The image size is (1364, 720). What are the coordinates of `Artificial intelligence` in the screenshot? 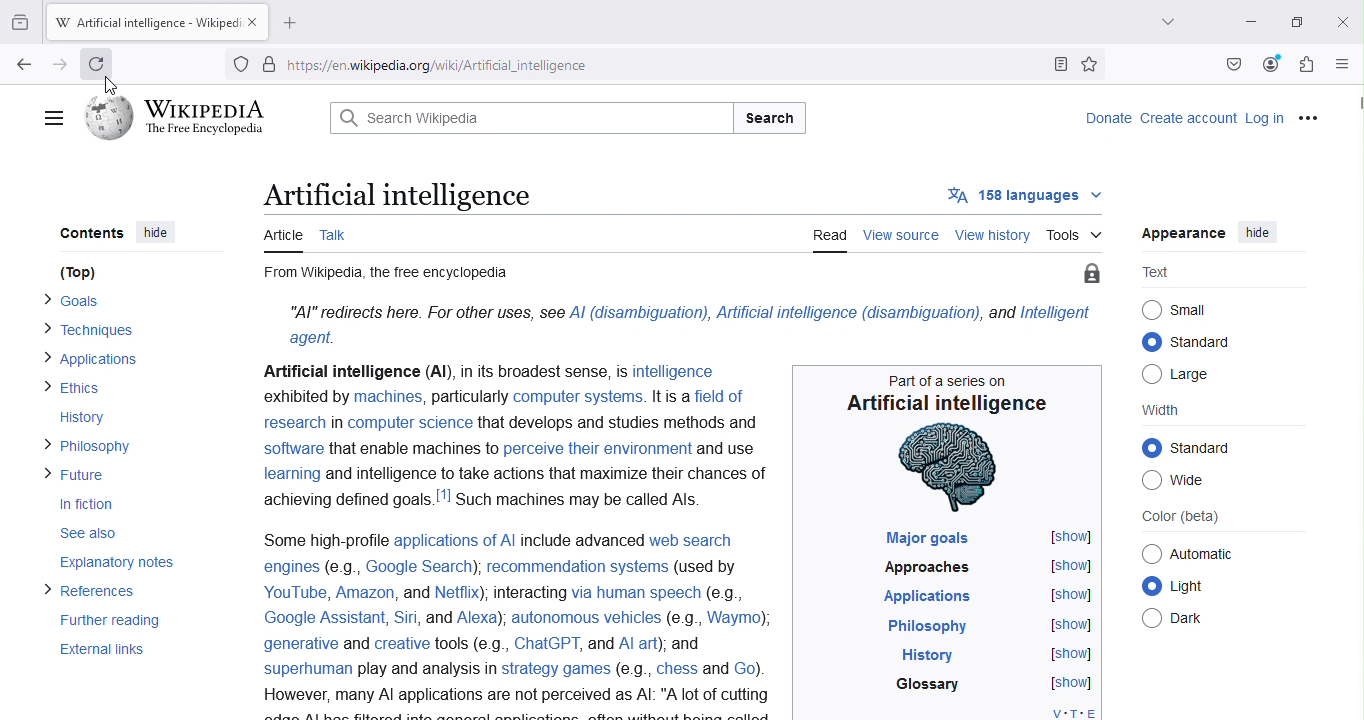 It's located at (407, 194).